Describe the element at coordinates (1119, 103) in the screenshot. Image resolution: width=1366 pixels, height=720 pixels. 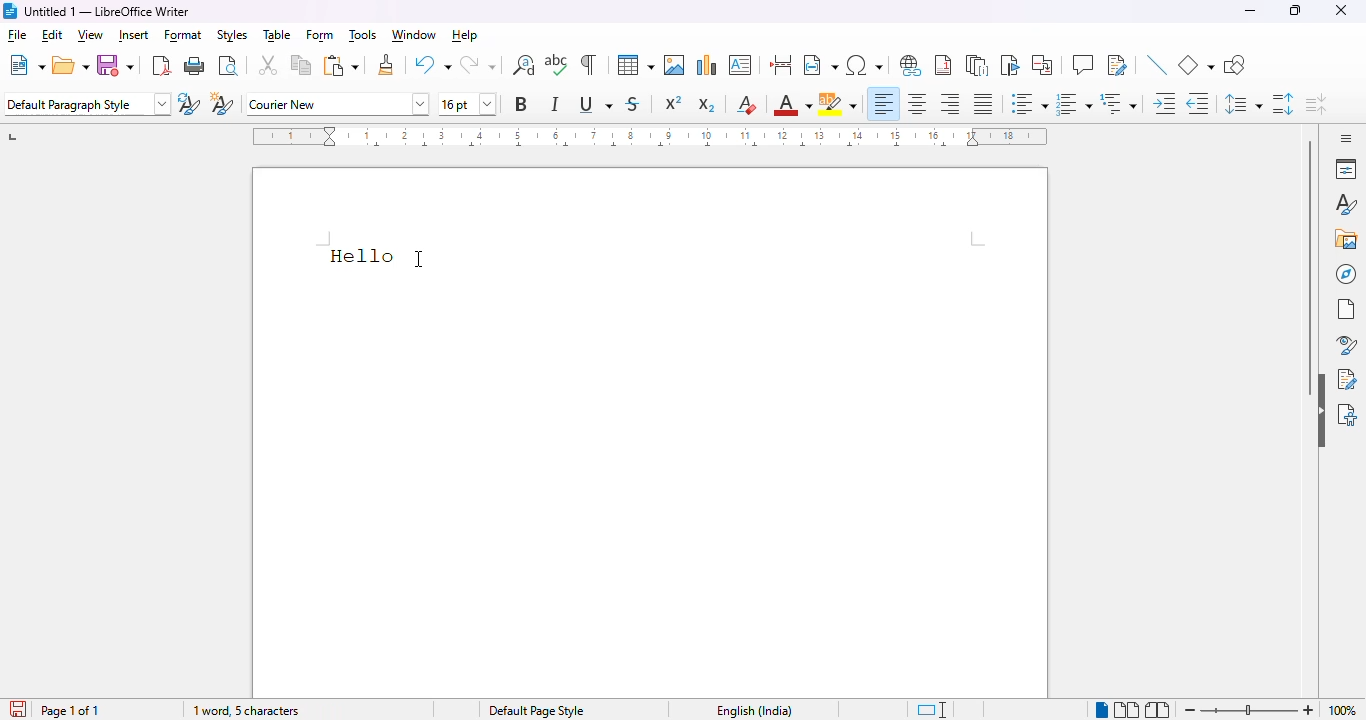
I see `select outline format` at that location.